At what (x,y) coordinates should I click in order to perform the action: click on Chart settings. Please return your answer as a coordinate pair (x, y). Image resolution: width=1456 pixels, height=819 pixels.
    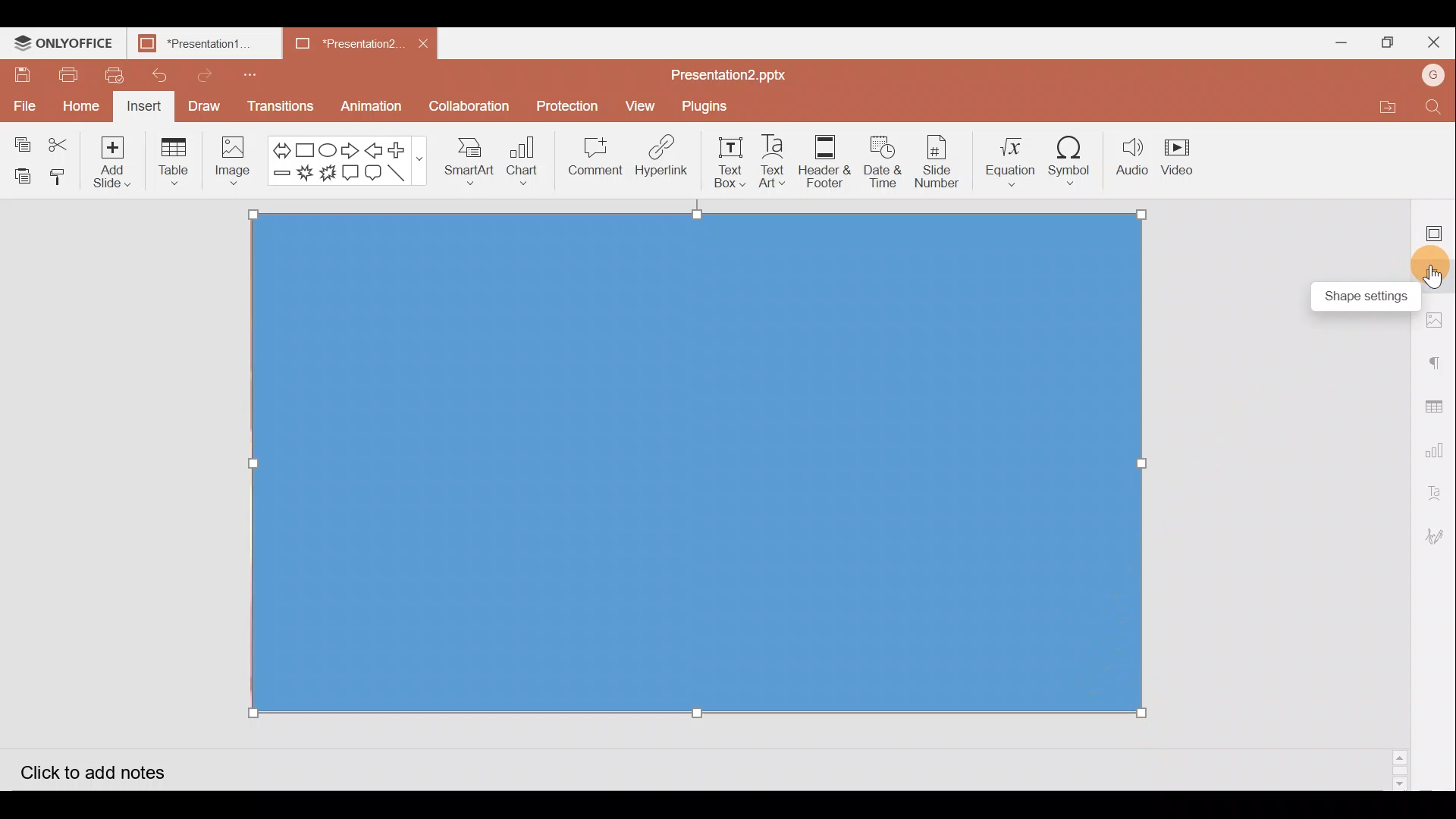
    Looking at the image, I should click on (1439, 444).